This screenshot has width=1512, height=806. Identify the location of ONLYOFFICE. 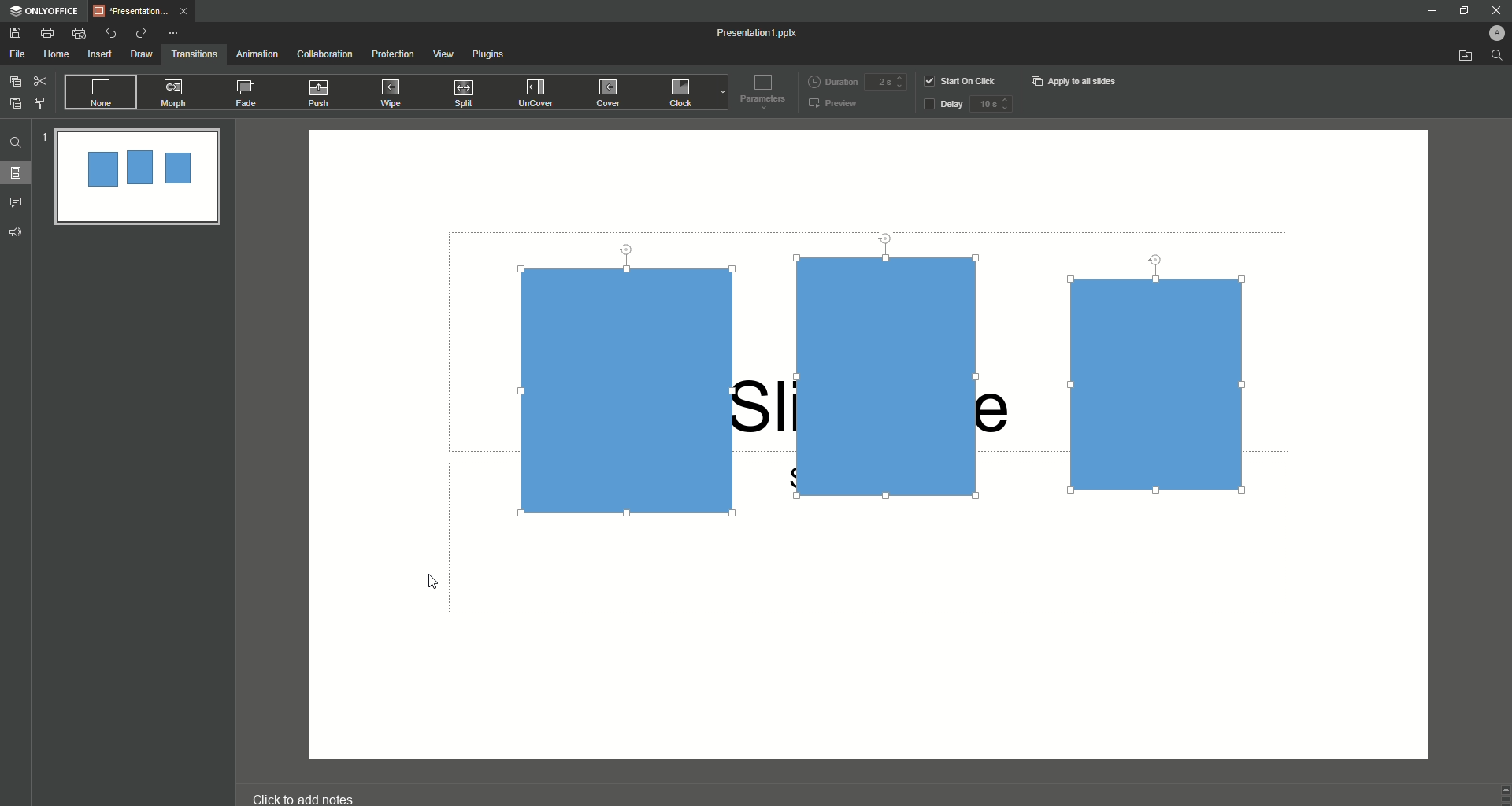
(44, 11).